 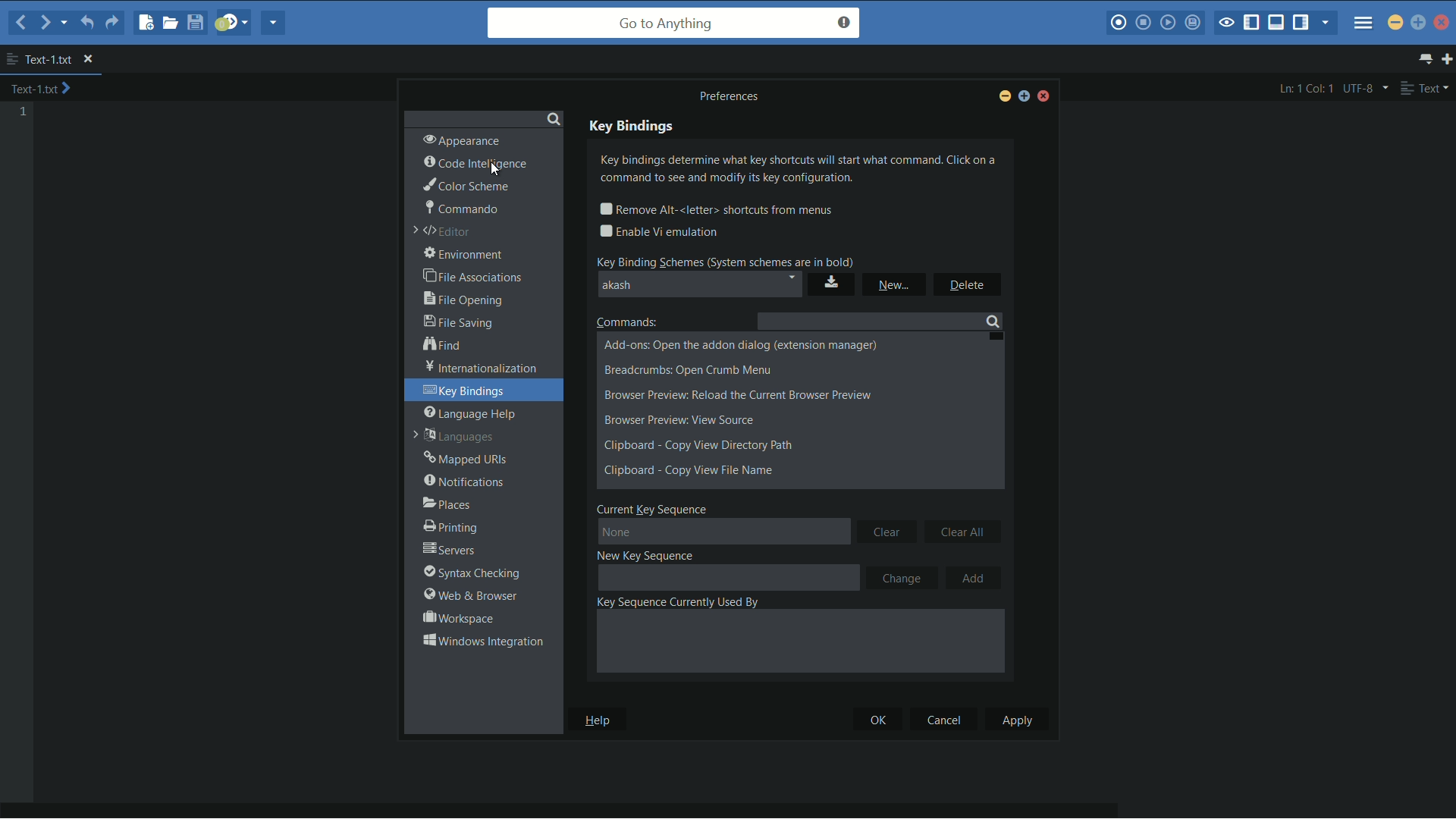 I want to click on save, so click(x=832, y=284).